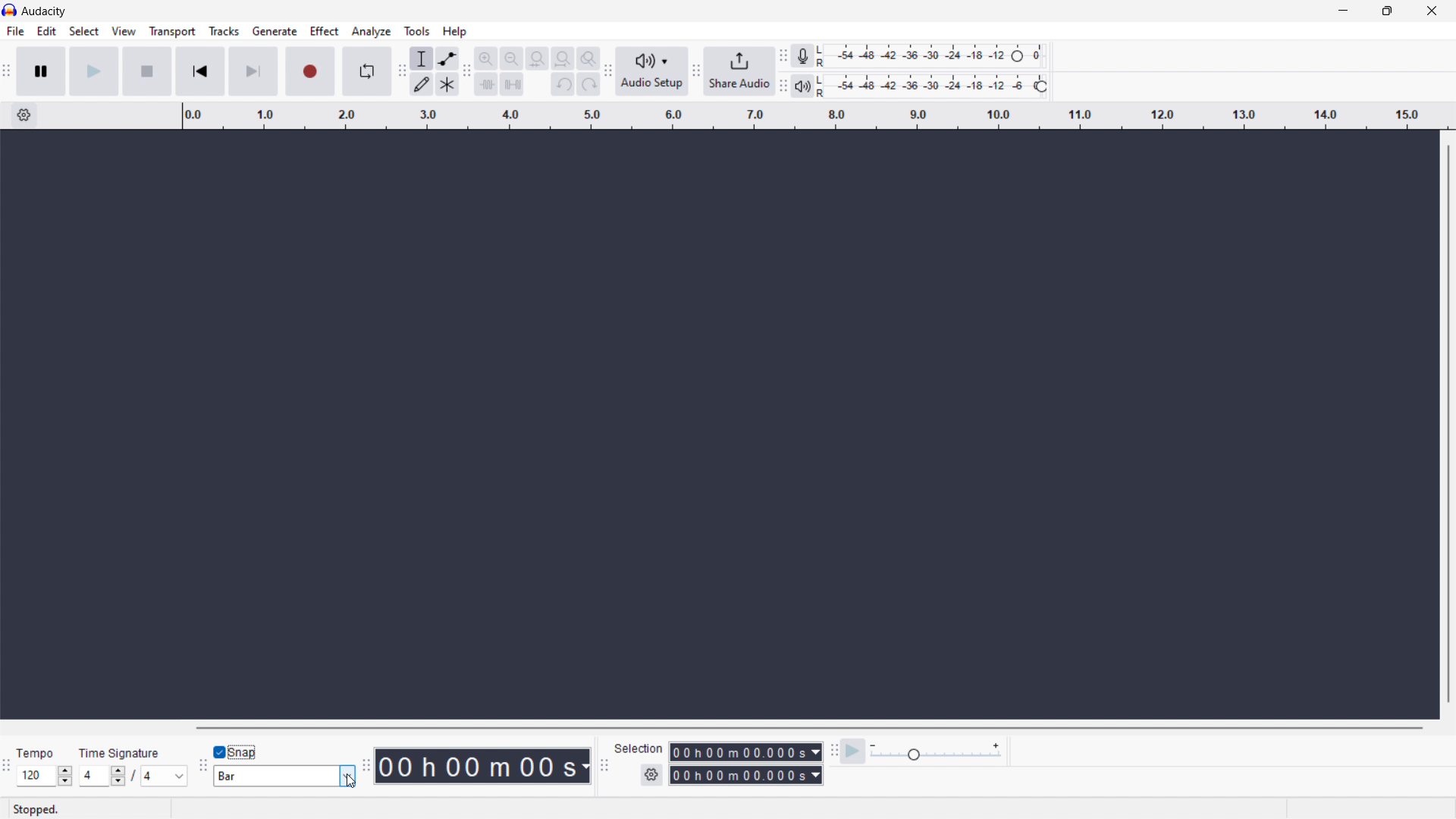  Describe the element at coordinates (511, 85) in the screenshot. I see `silence audio selection` at that location.